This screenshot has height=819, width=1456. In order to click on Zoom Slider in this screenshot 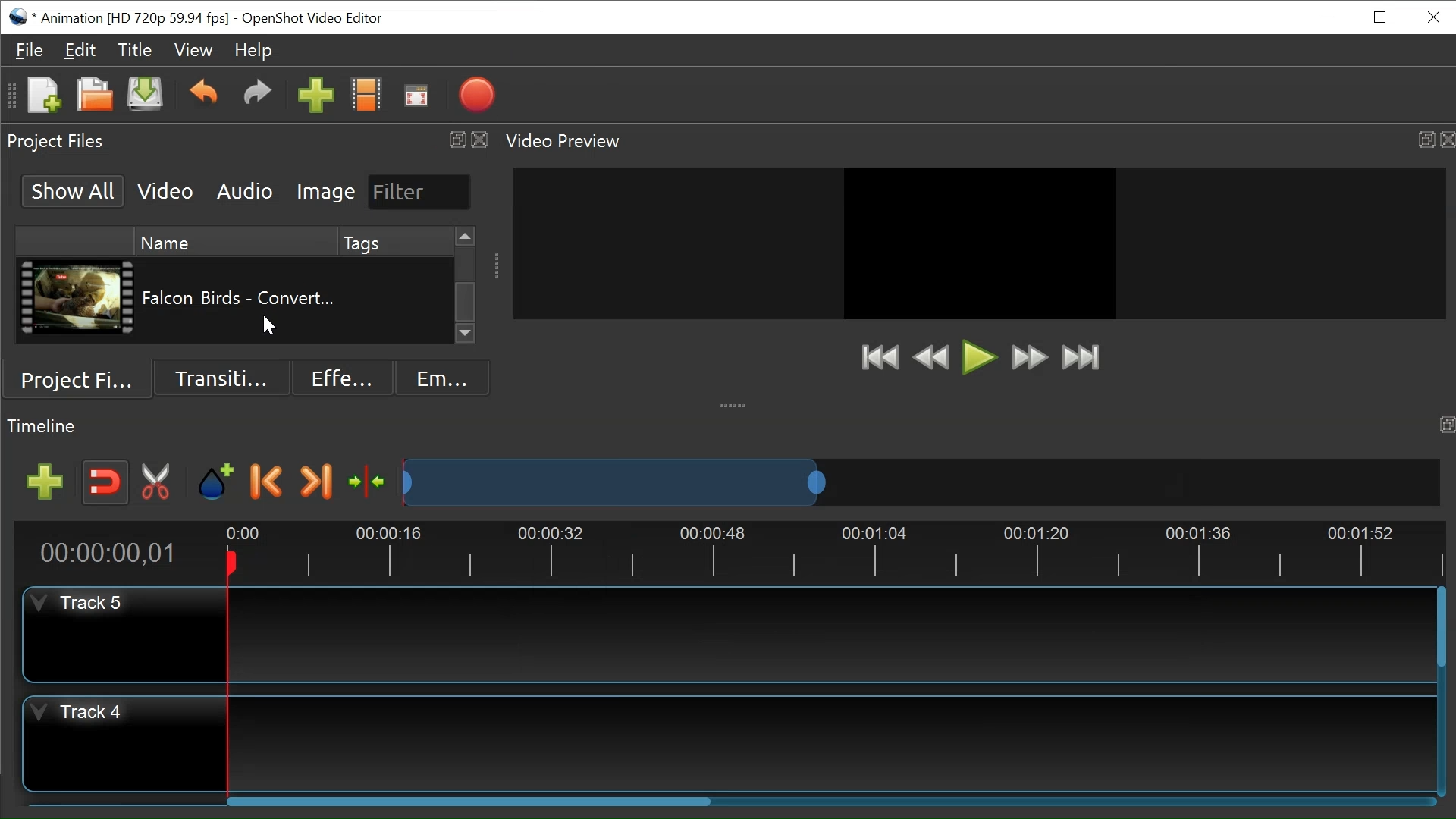, I will do `click(921, 482)`.